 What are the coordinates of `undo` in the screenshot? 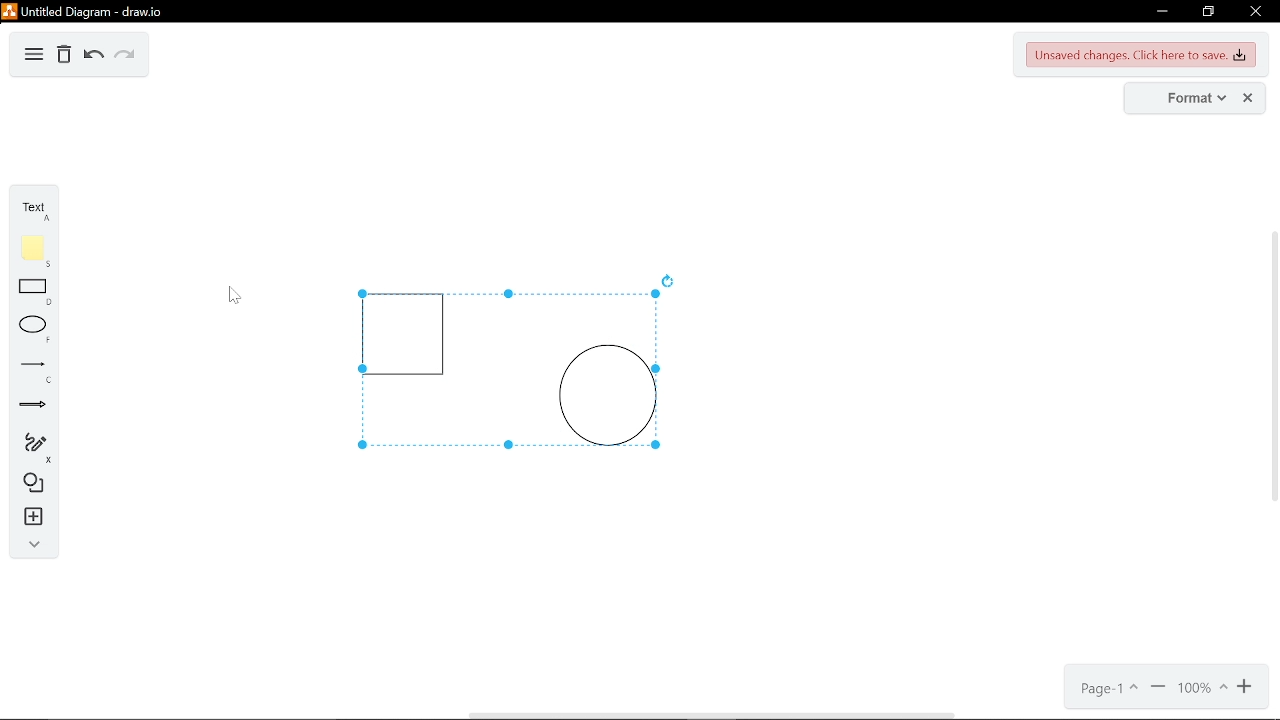 It's located at (95, 55).